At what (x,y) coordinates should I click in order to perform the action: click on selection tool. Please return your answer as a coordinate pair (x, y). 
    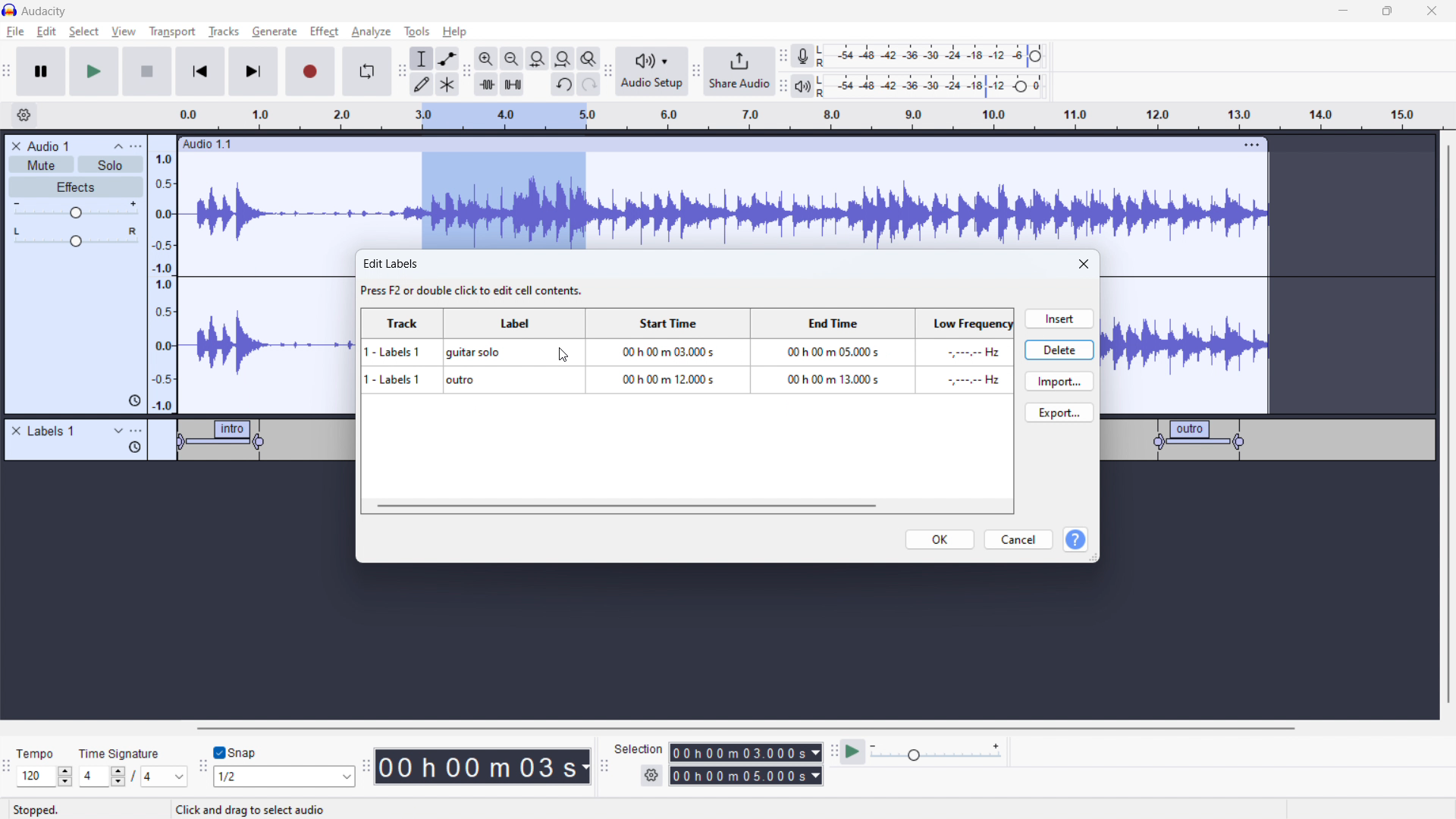
    Looking at the image, I should click on (422, 58).